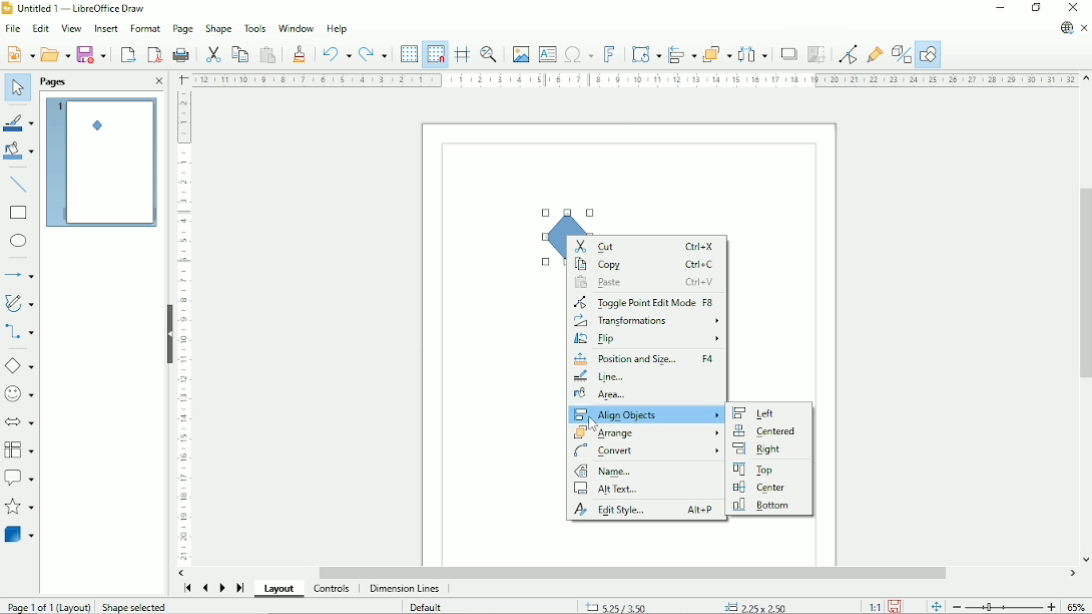  What do you see at coordinates (19, 422) in the screenshot?
I see `Block arrows` at bounding box center [19, 422].